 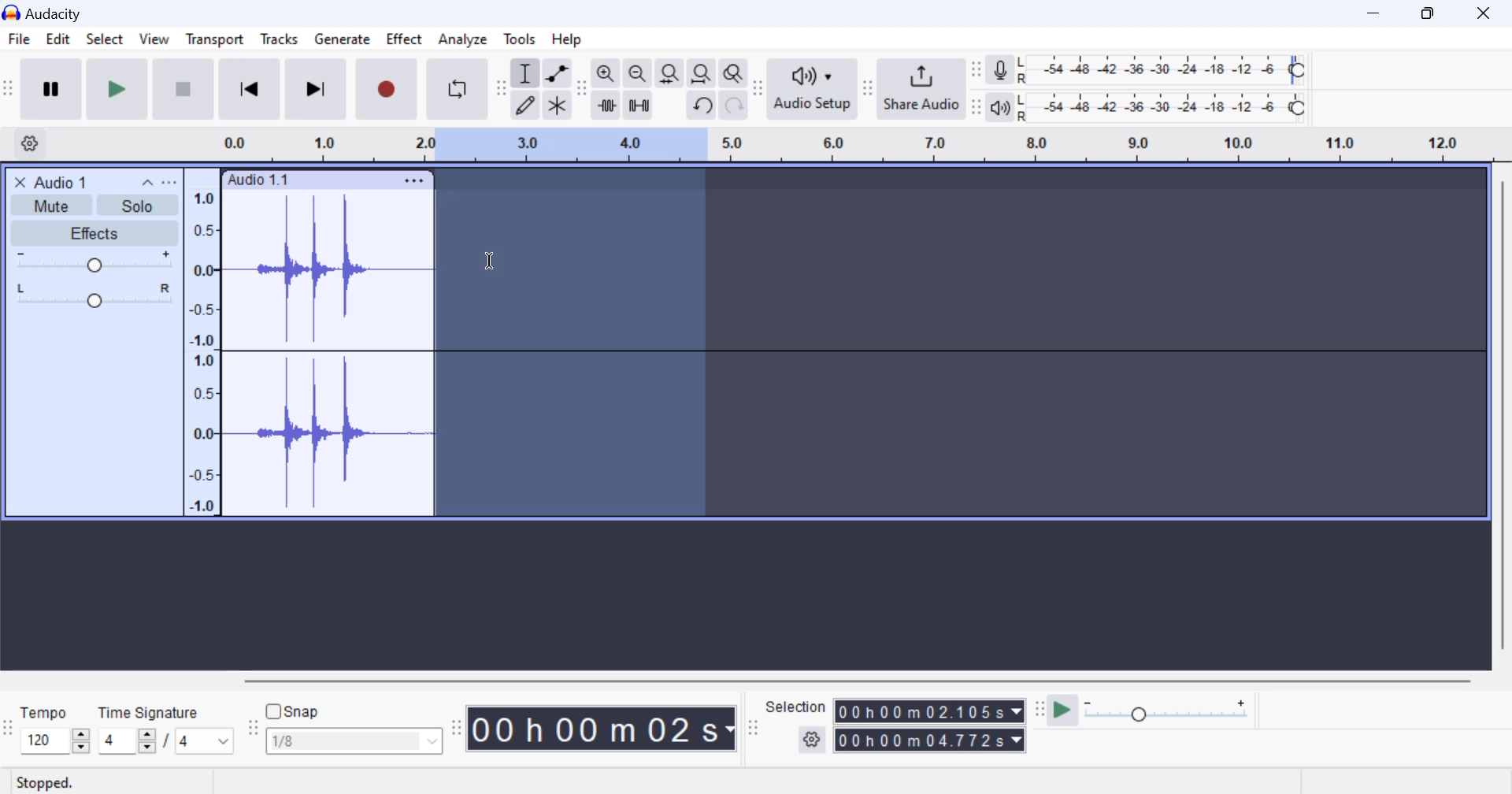 I want to click on Settings, so click(x=32, y=143).